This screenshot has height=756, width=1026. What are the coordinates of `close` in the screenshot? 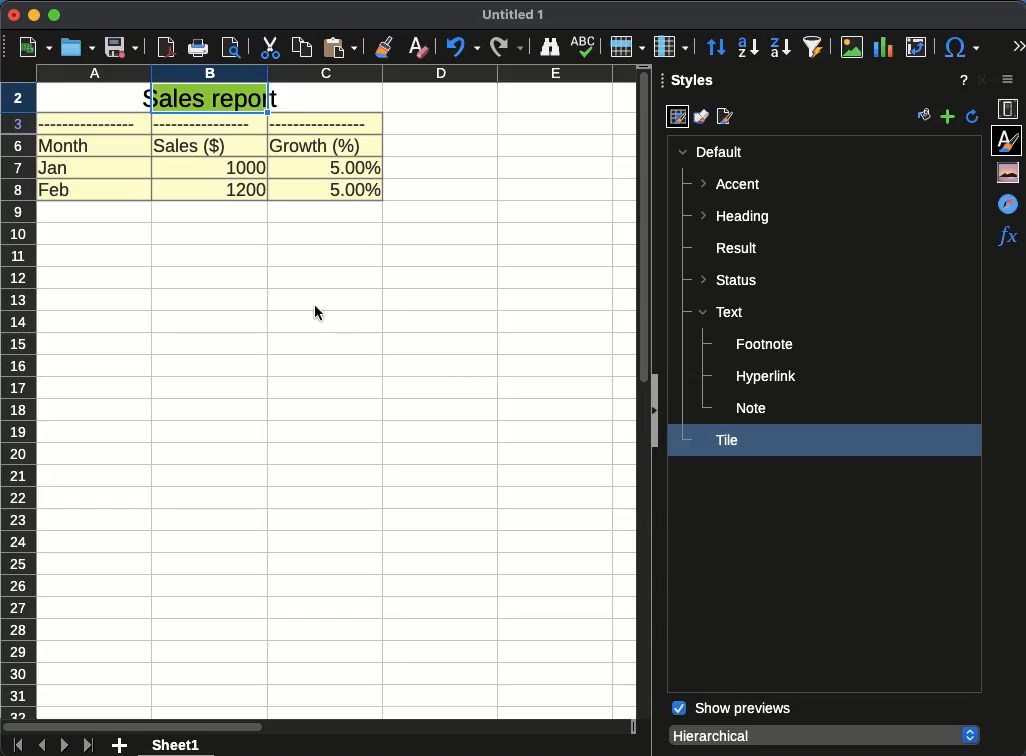 It's located at (981, 80).